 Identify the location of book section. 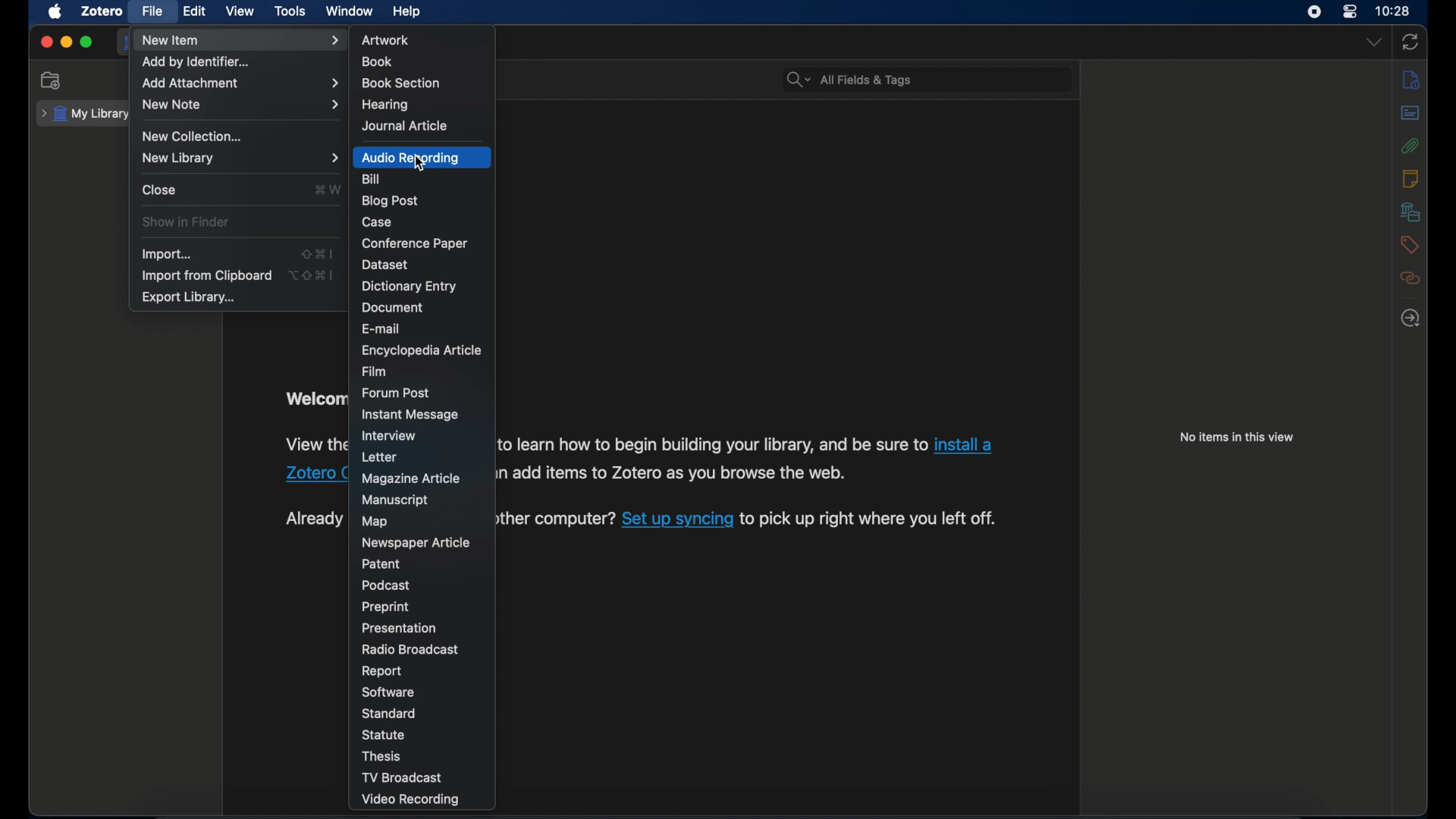
(401, 83).